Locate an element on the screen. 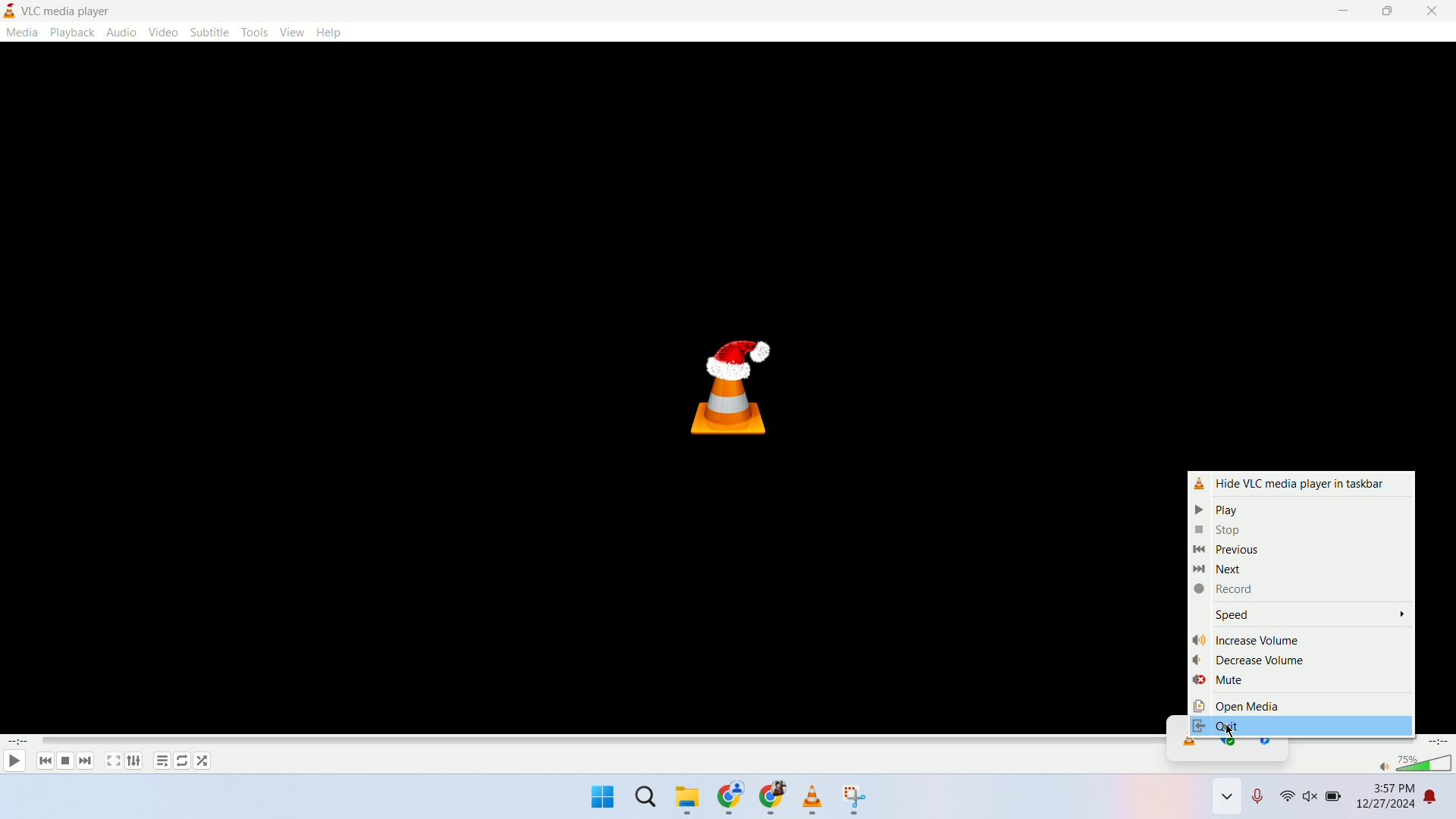  quit is located at coordinates (1301, 724).